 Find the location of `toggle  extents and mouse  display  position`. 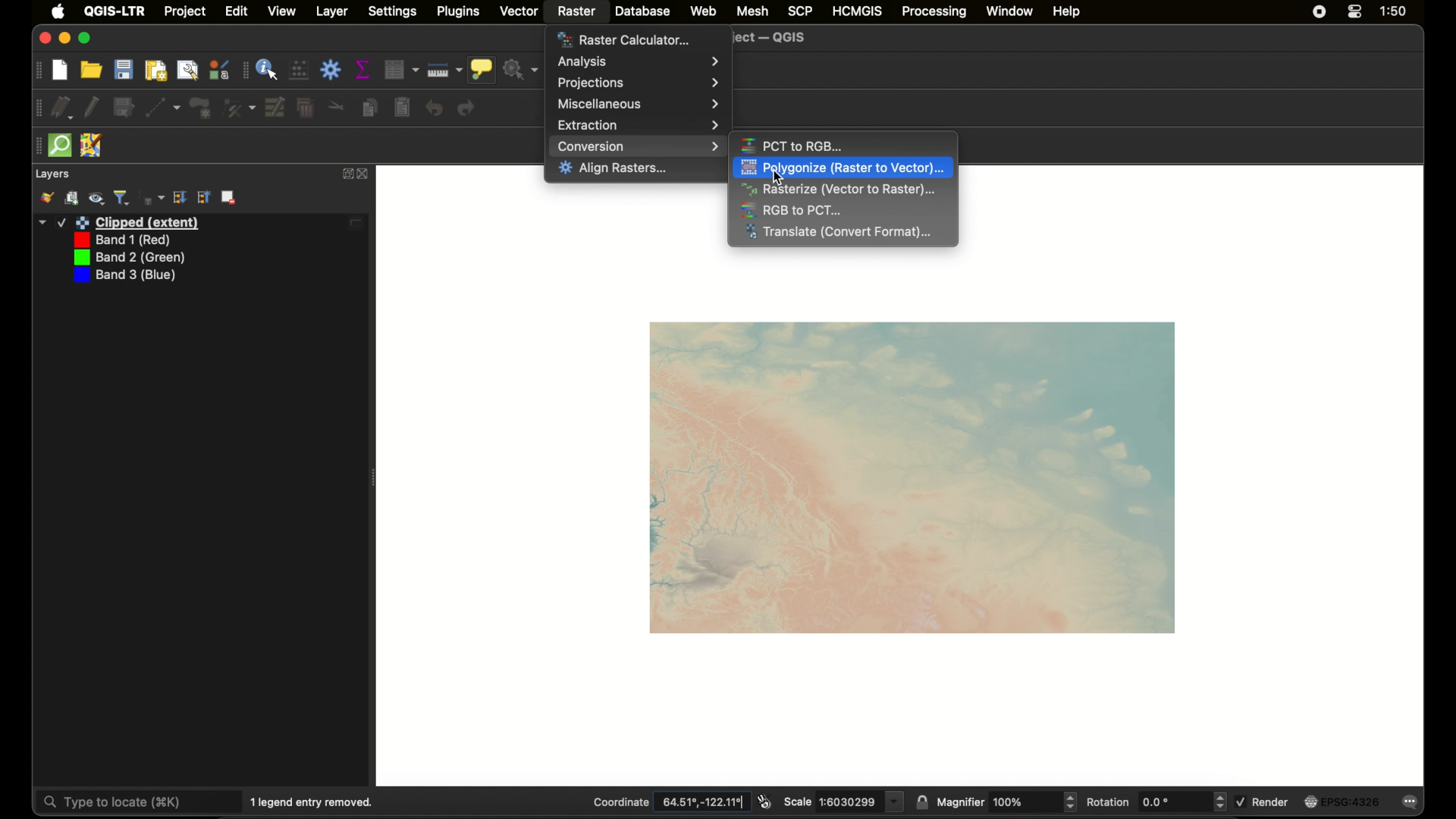

toggle  extents and mouse  display  position is located at coordinates (764, 802).